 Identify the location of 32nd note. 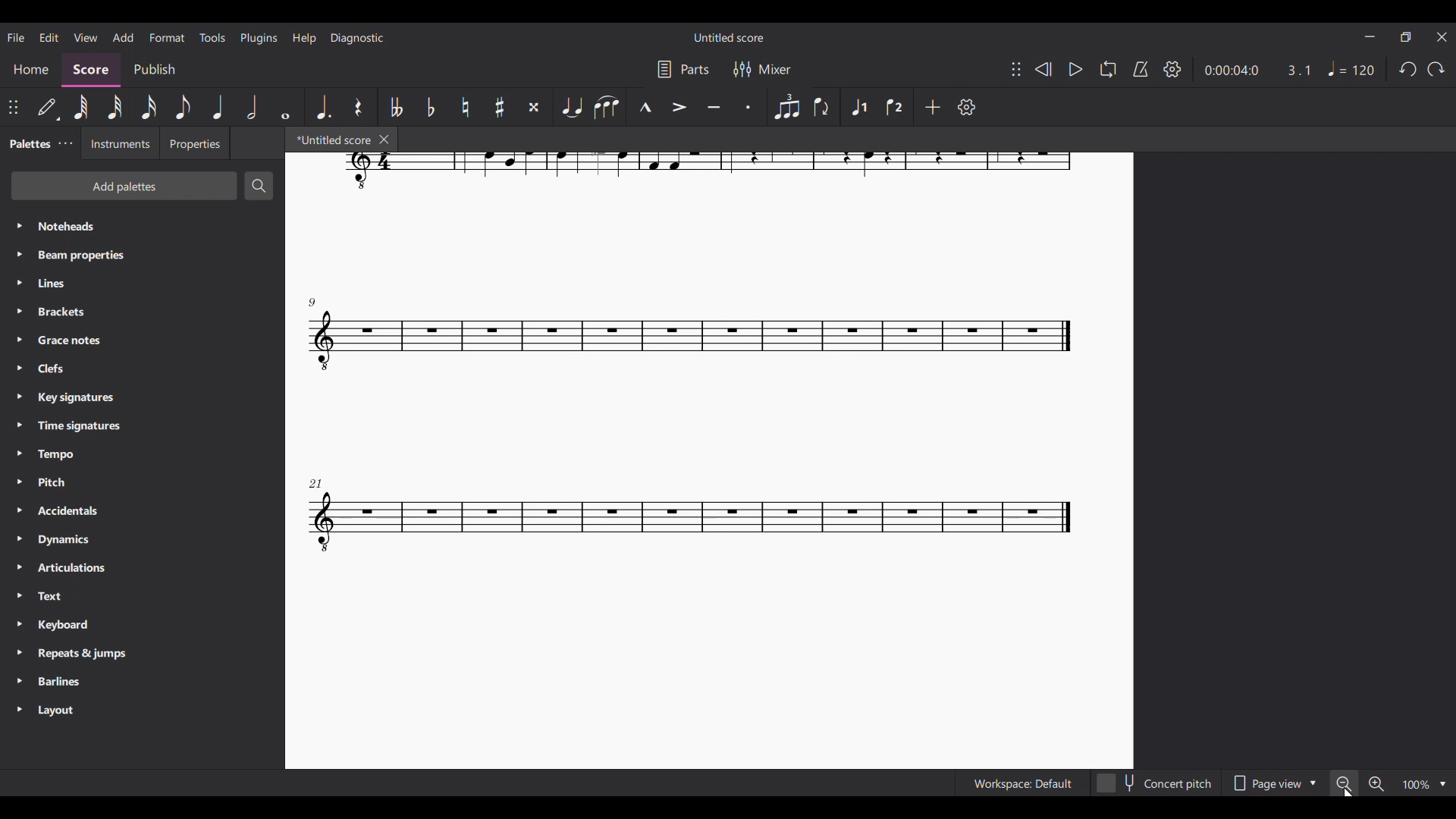
(115, 108).